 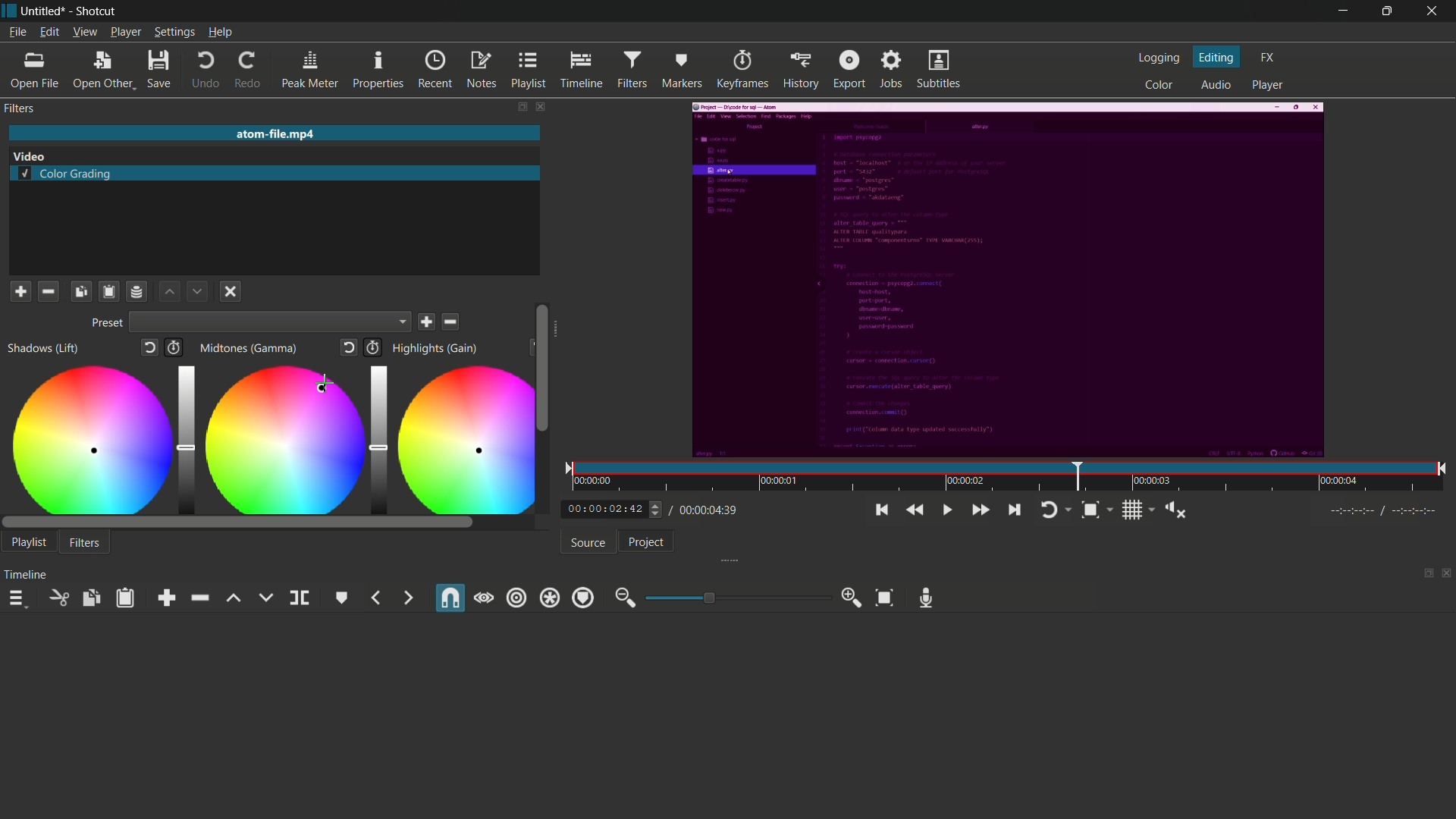 What do you see at coordinates (196, 290) in the screenshot?
I see `Down` at bounding box center [196, 290].